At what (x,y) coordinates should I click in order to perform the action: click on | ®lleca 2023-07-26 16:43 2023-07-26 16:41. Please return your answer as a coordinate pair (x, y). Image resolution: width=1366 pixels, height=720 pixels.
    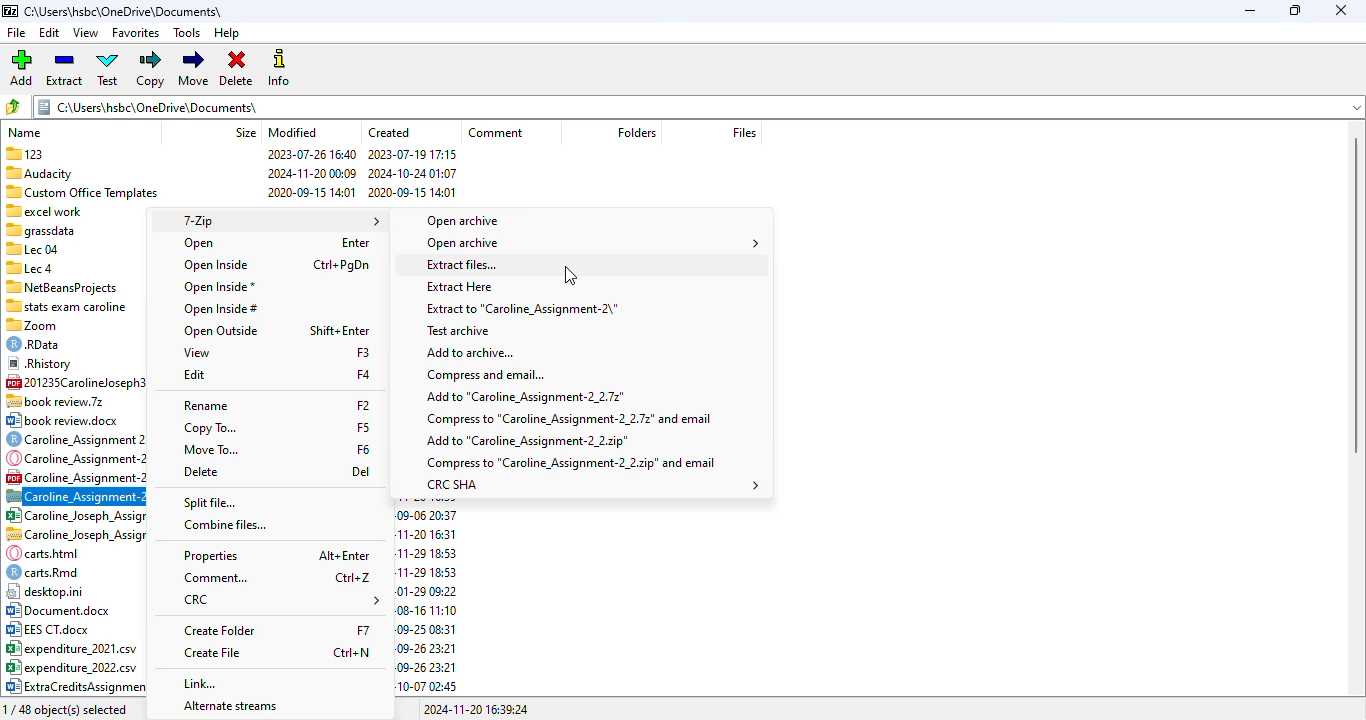
    Looking at the image, I should click on (72, 267).